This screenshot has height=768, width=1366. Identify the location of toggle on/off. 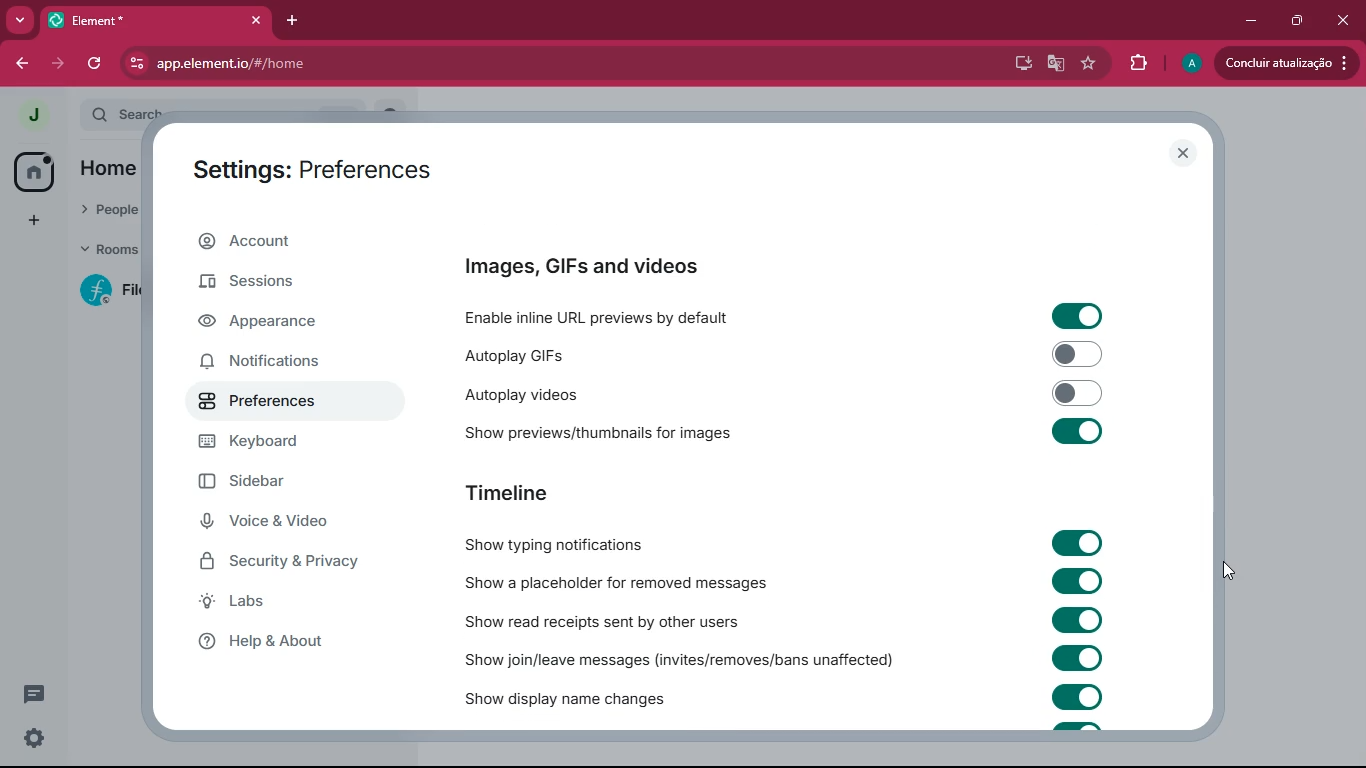
(1077, 431).